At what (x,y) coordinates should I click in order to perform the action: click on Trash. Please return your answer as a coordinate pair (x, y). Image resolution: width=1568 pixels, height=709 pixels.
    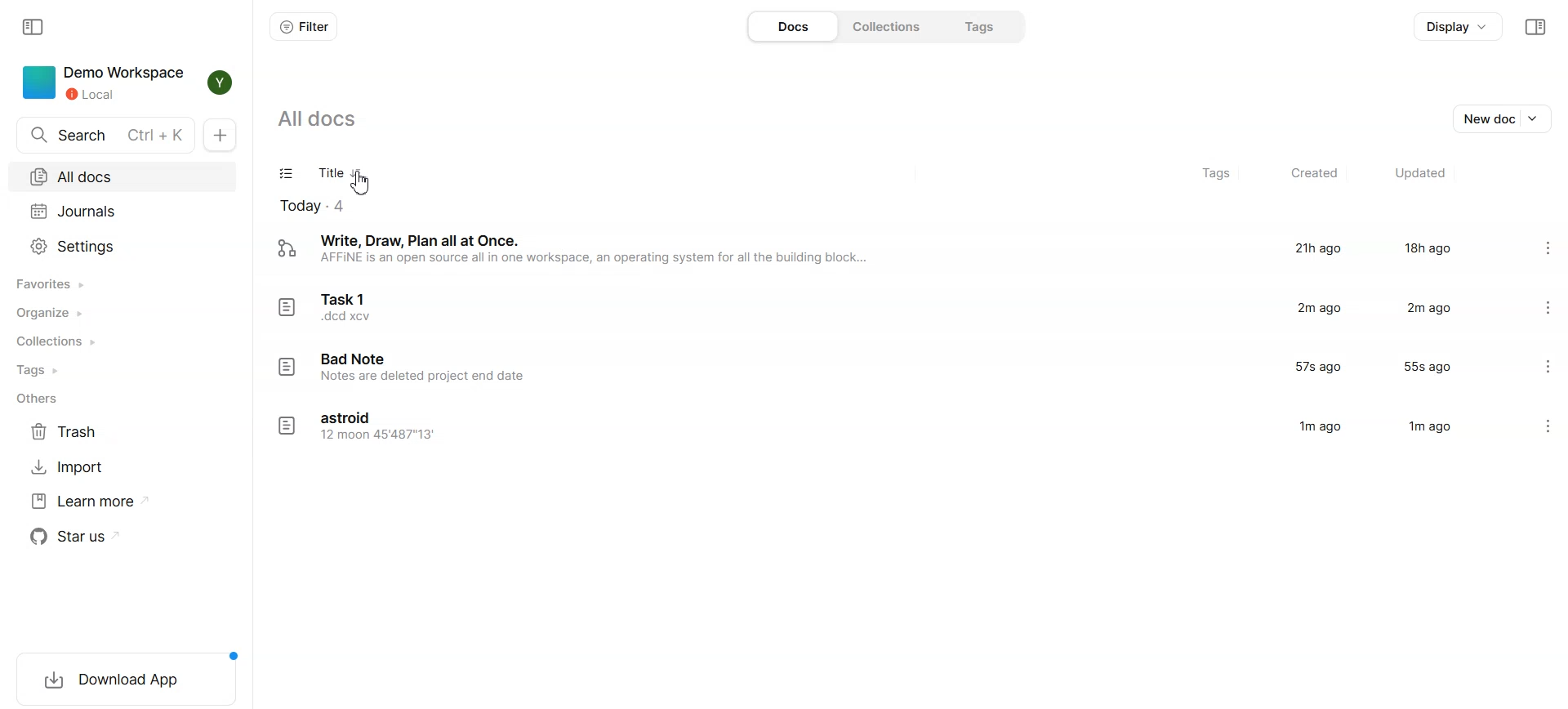
    Looking at the image, I should click on (68, 432).